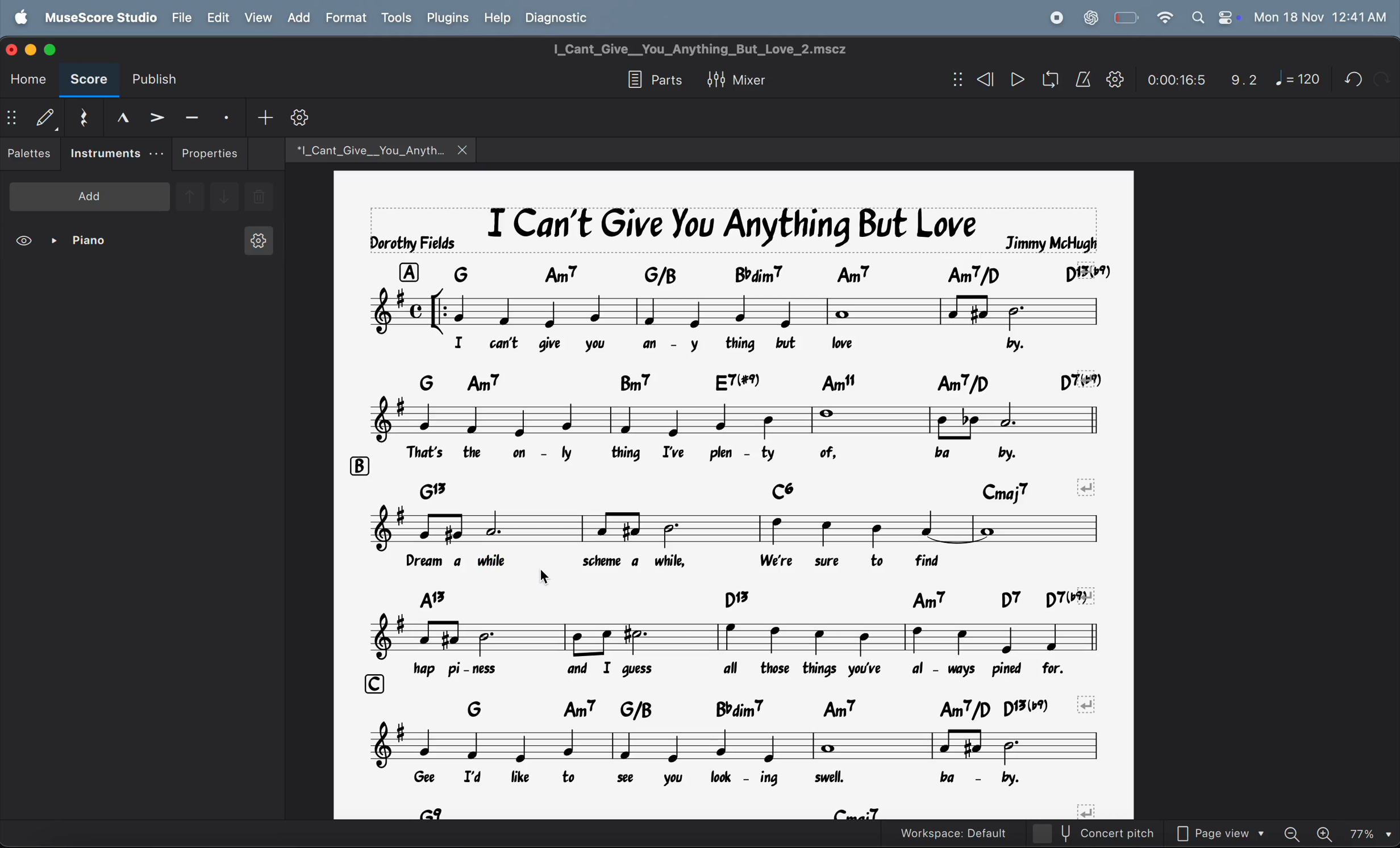 This screenshot has height=848, width=1400. Describe the element at coordinates (103, 18) in the screenshot. I see `musescore studio` at that location.